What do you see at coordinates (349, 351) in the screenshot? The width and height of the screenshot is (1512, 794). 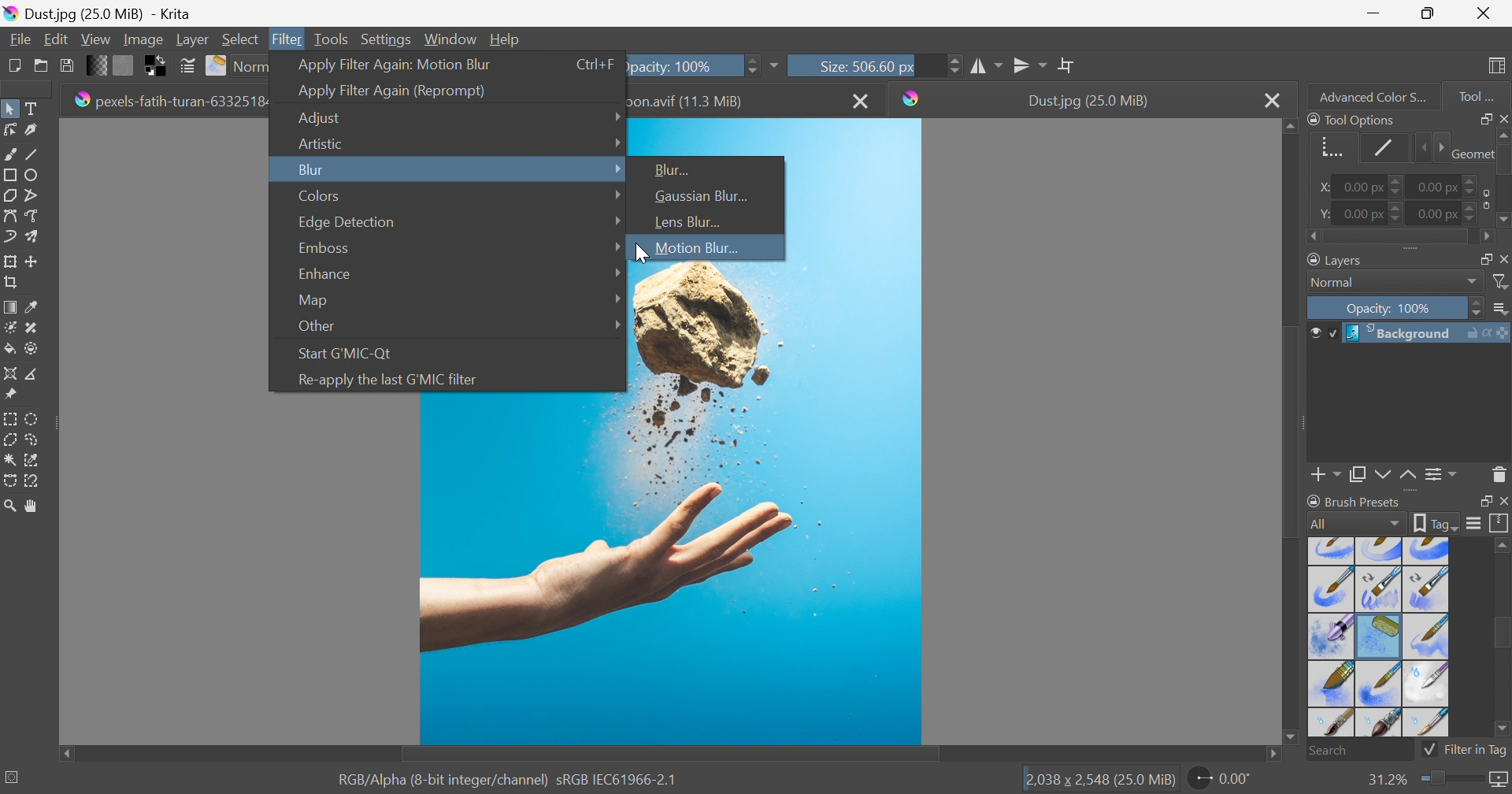 I see `Start G'MIC -Qt` at bounding box center [349, 351].